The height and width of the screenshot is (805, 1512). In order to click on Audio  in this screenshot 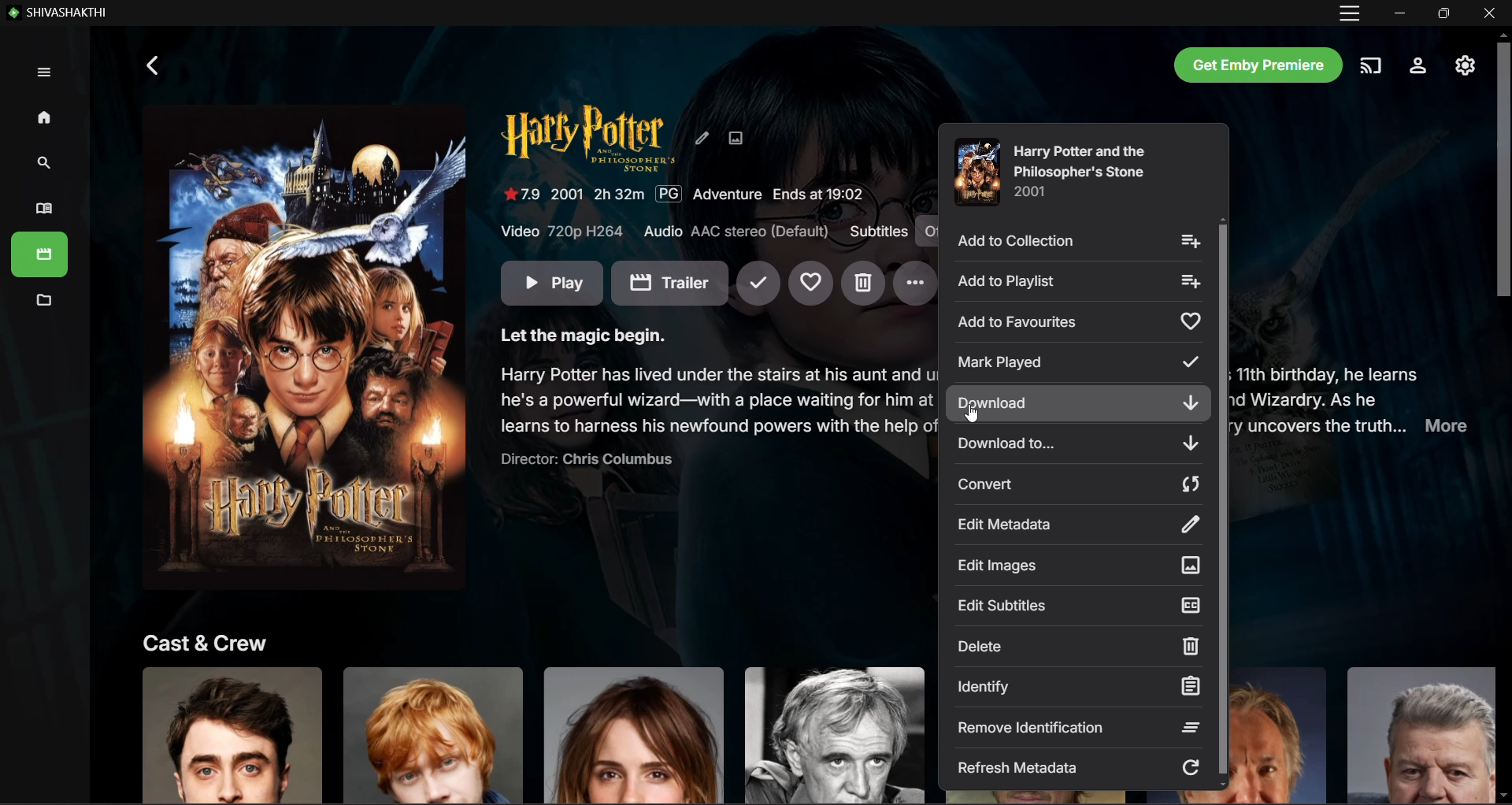, I will do `click(739, 232)`.